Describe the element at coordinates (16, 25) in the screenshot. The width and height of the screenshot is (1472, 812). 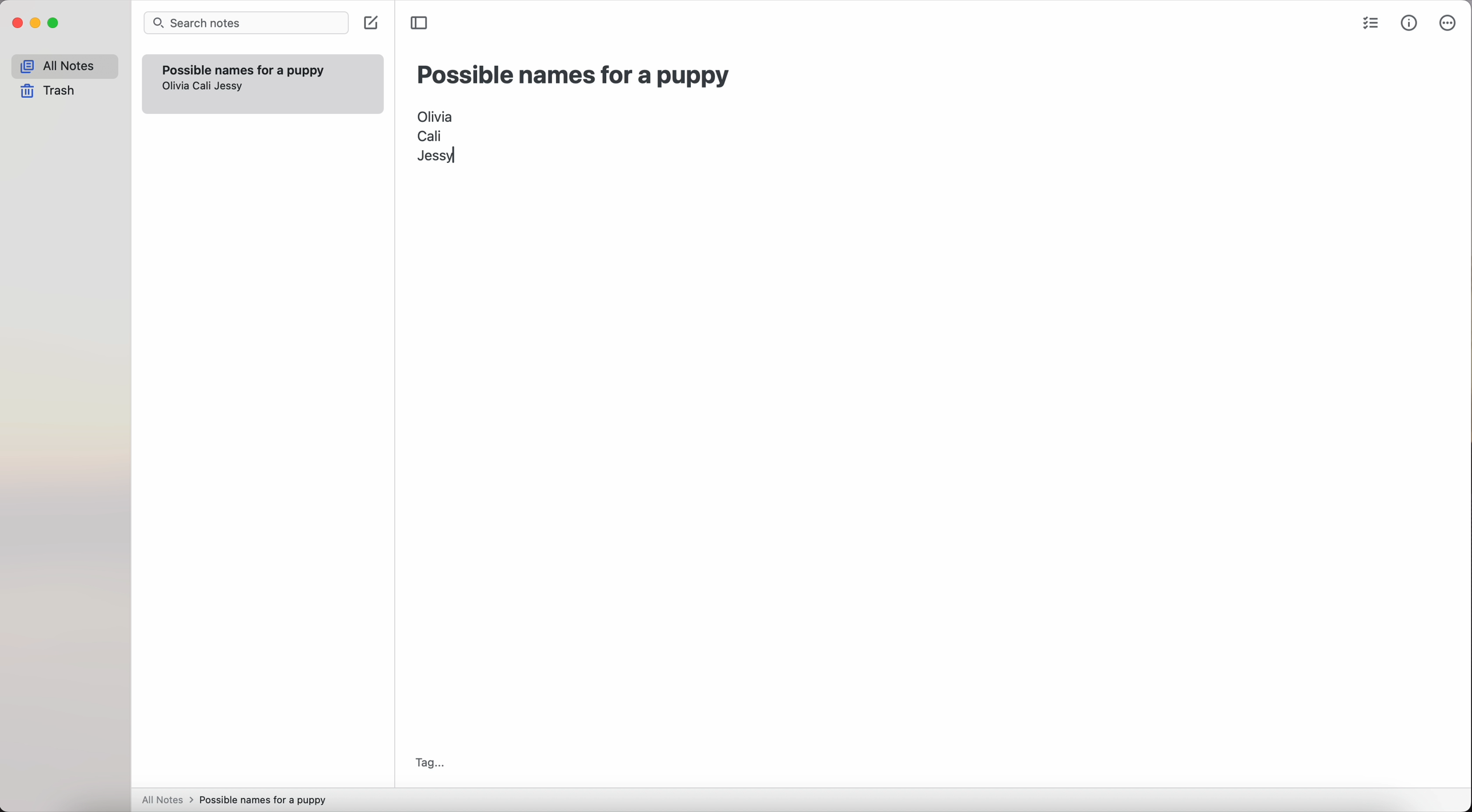
I see `close` at that location.